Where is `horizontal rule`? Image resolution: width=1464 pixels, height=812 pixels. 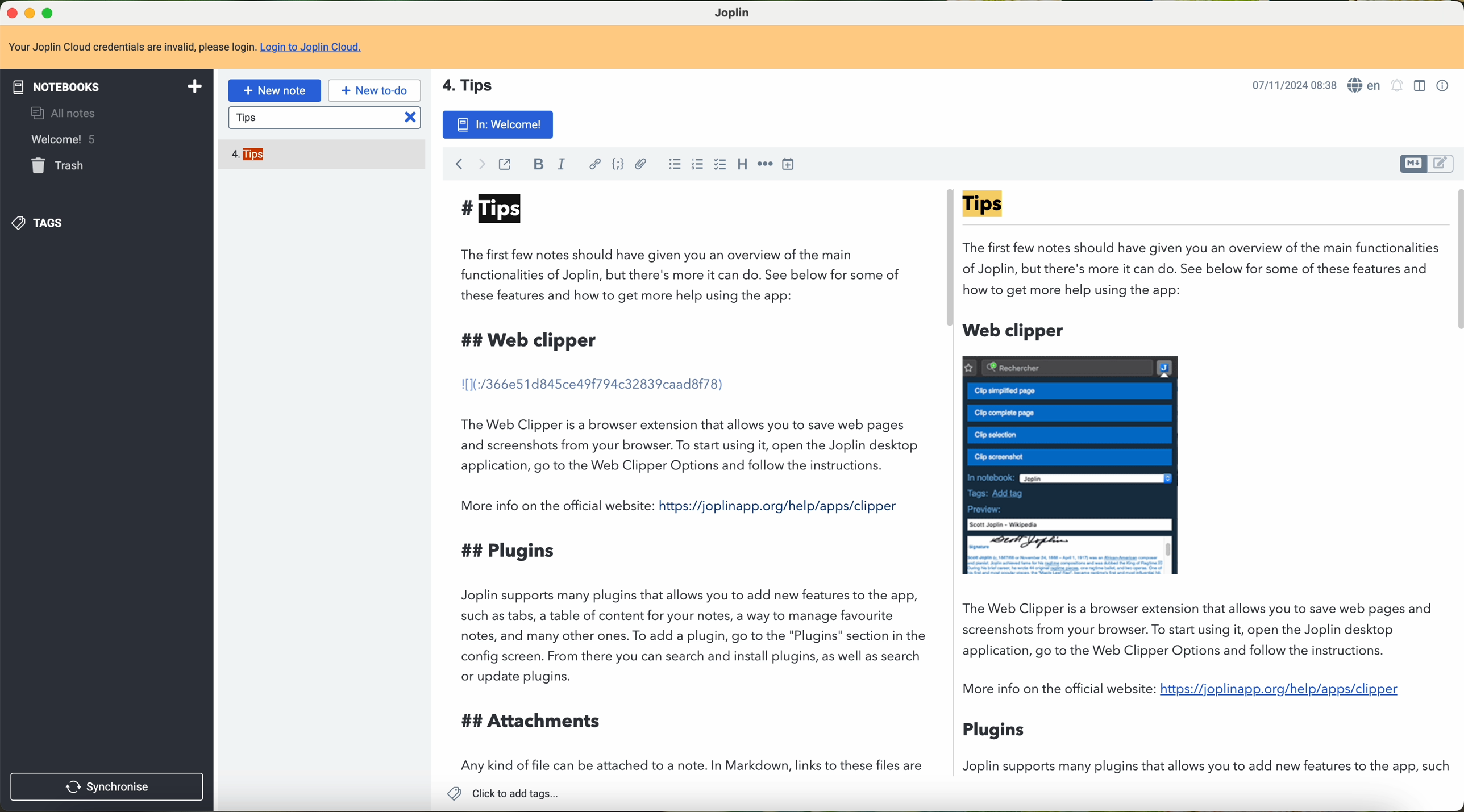 horizontal rule is located at coordinates (766, 165).